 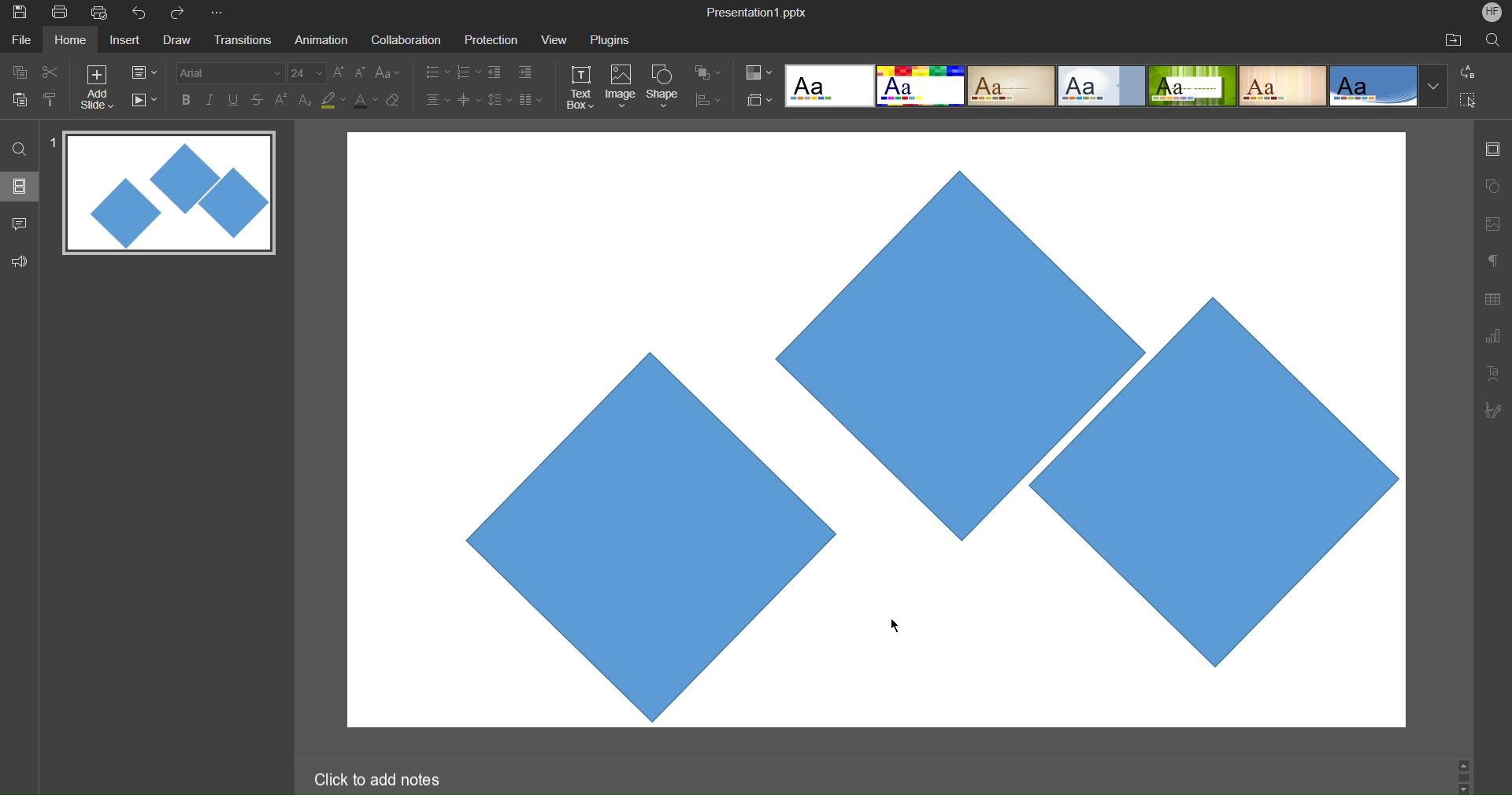 I want to click on open file location, so click(x=1453, y=39).